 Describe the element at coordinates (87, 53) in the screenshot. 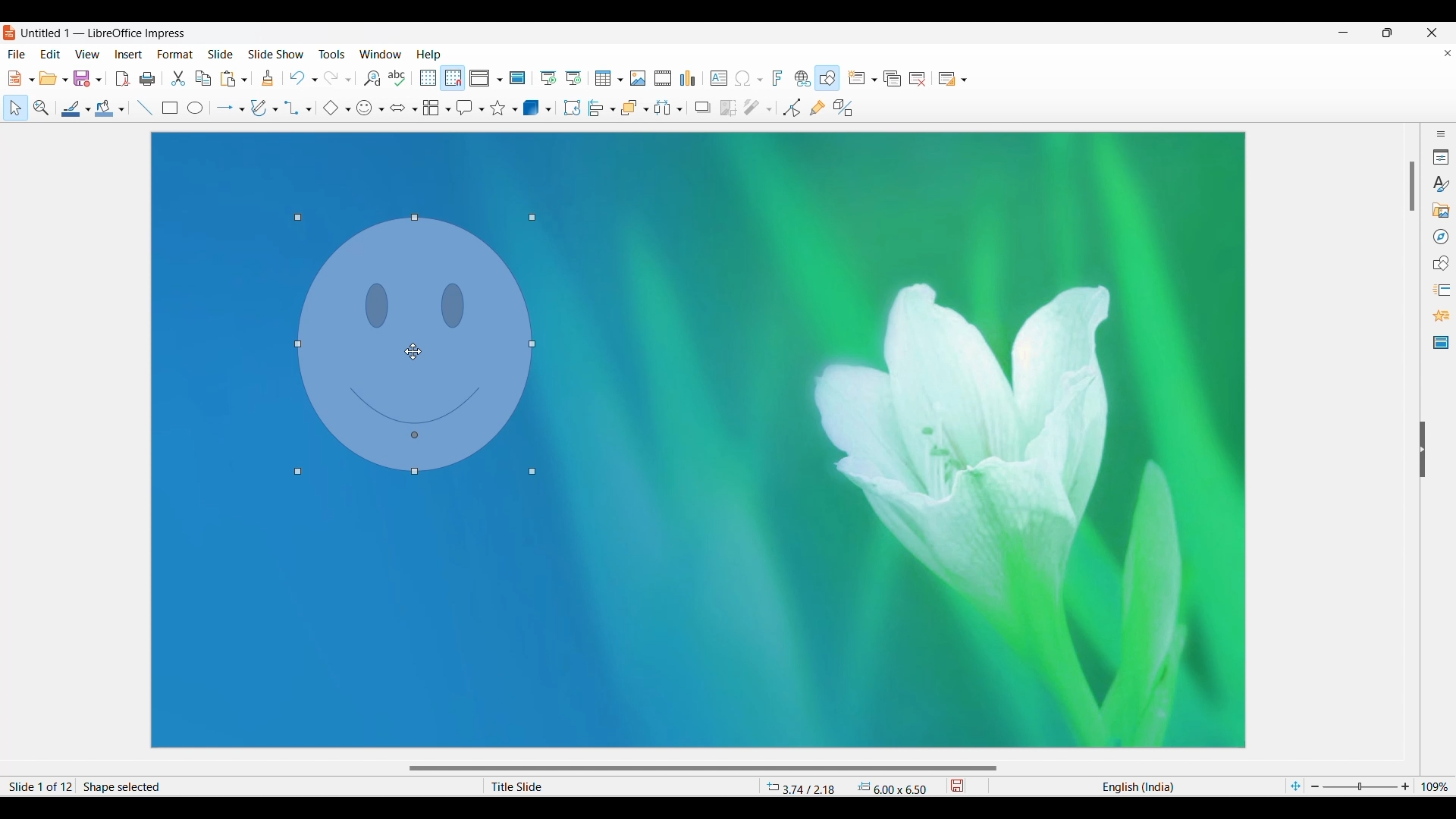

I see `View` at that location.